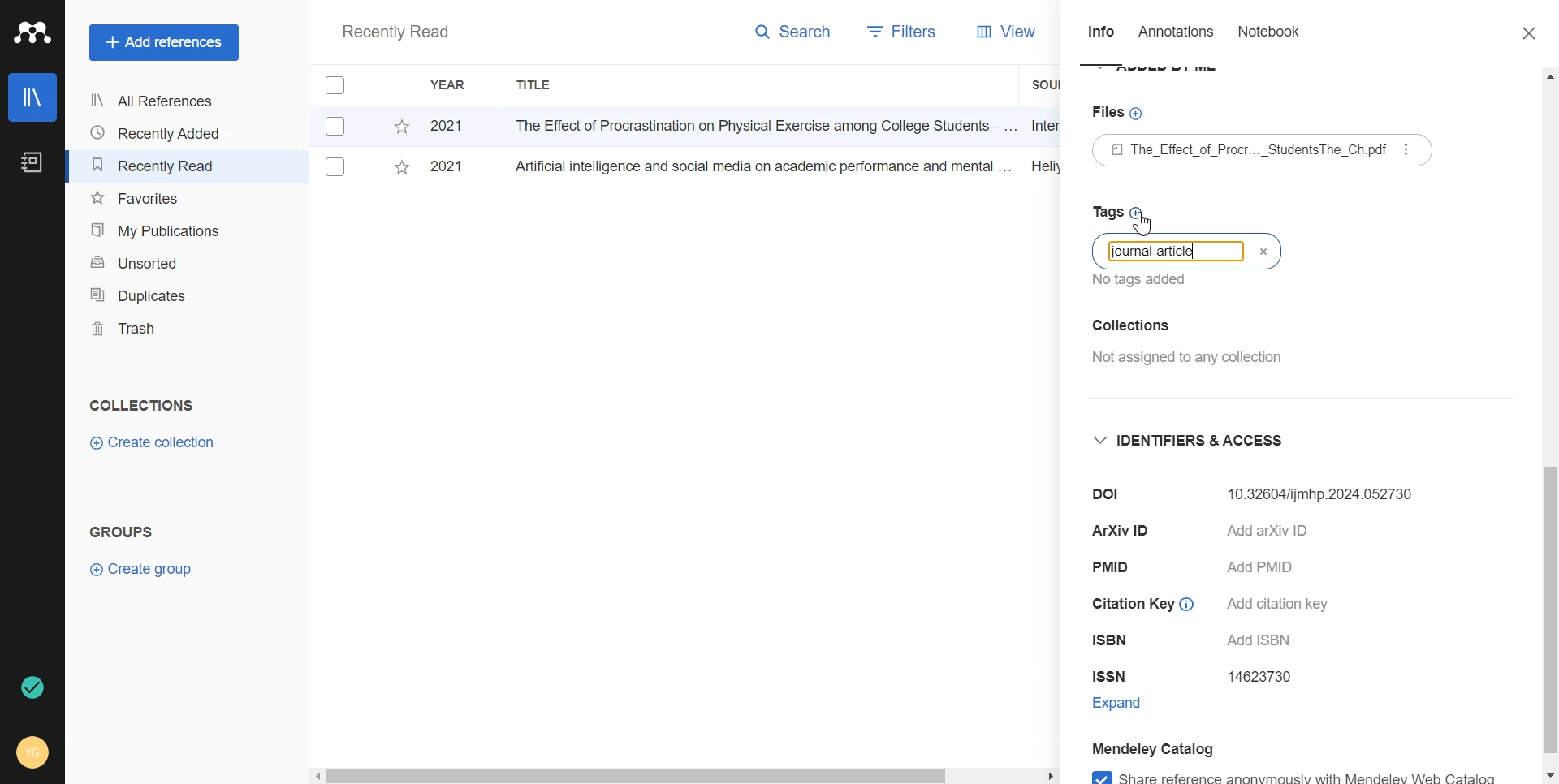 Image resolution: width=1559 pixels, height=784 pixels. Describe the element at coordinates (446, 165) in the screenshot. I see `2021` at that location.